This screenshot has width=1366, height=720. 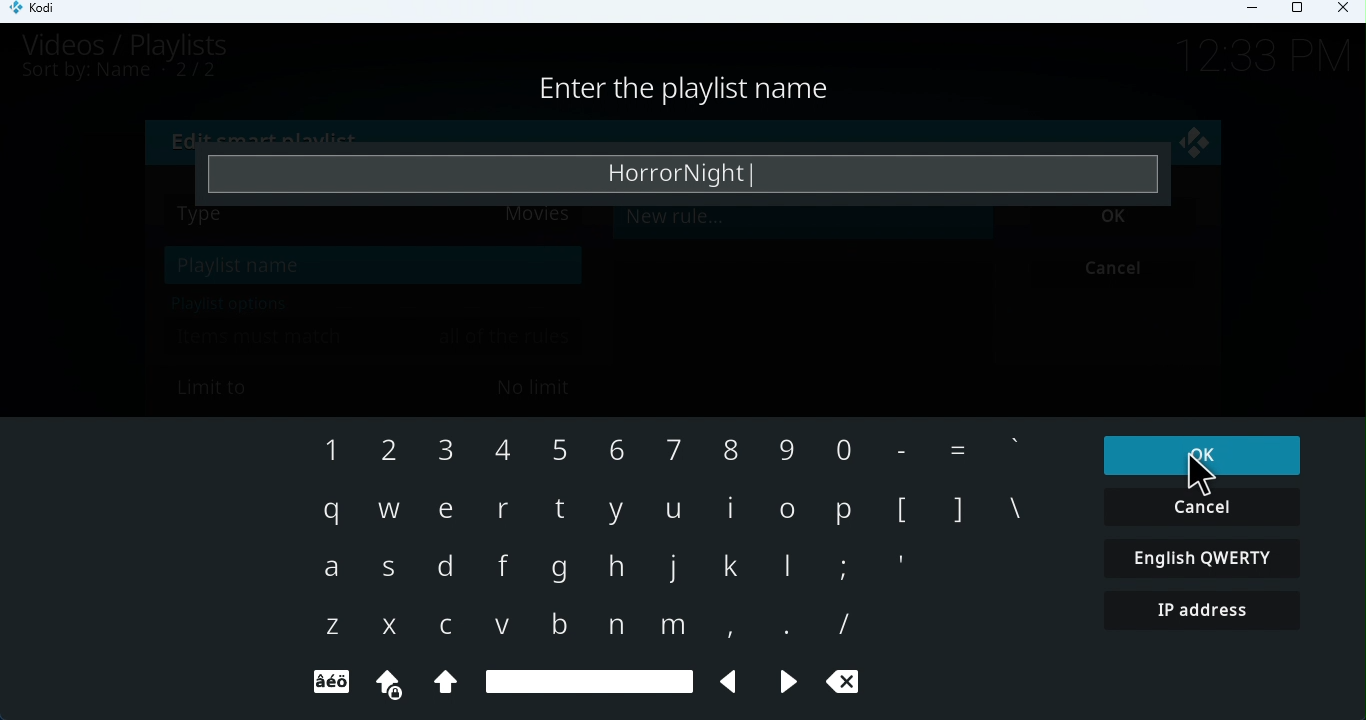 I want to click on Kodi icon, so click(x=40, y=12).